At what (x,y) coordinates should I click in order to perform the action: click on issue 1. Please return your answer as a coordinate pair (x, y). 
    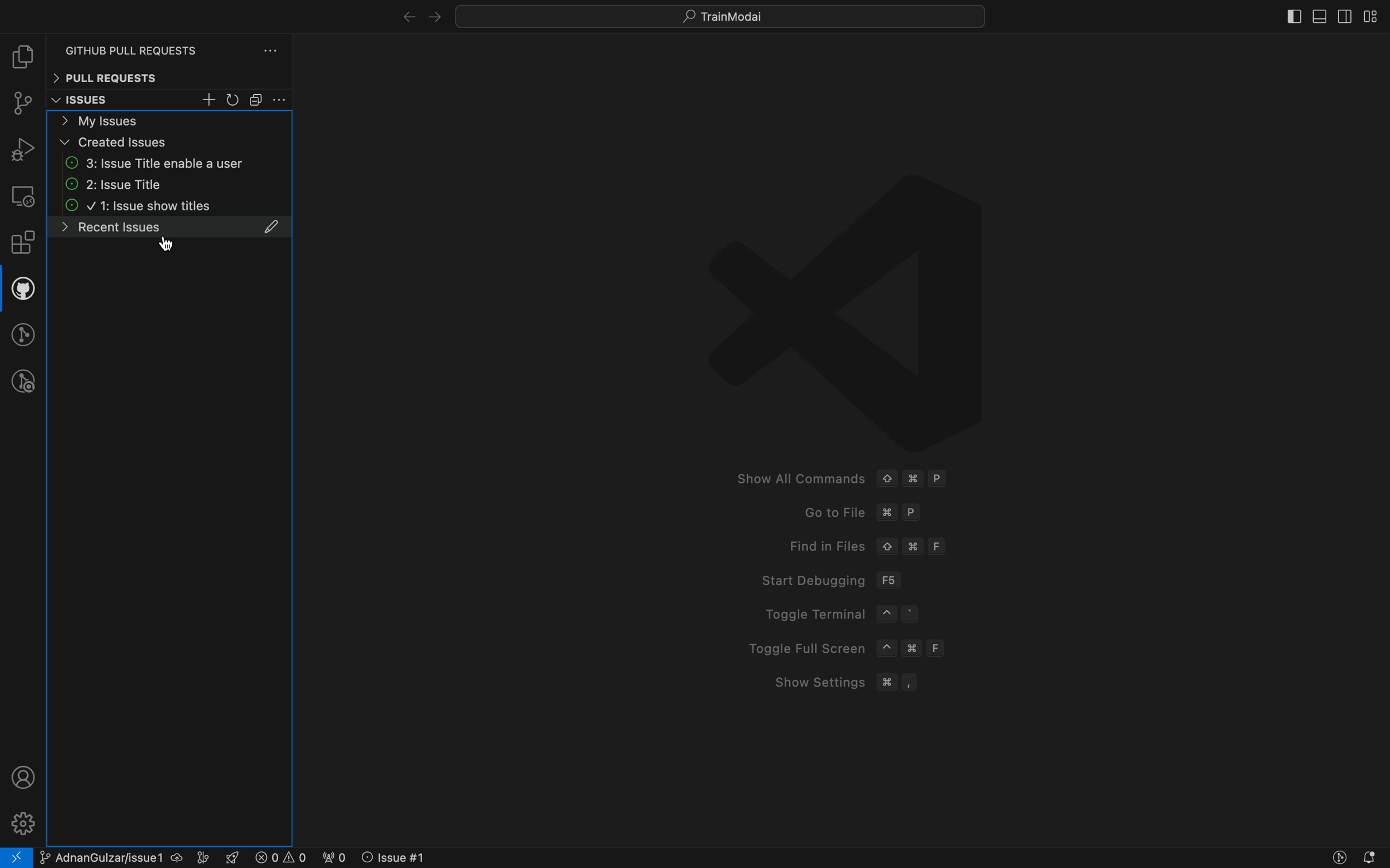
    Looking at the image, I should click on (406, 857).